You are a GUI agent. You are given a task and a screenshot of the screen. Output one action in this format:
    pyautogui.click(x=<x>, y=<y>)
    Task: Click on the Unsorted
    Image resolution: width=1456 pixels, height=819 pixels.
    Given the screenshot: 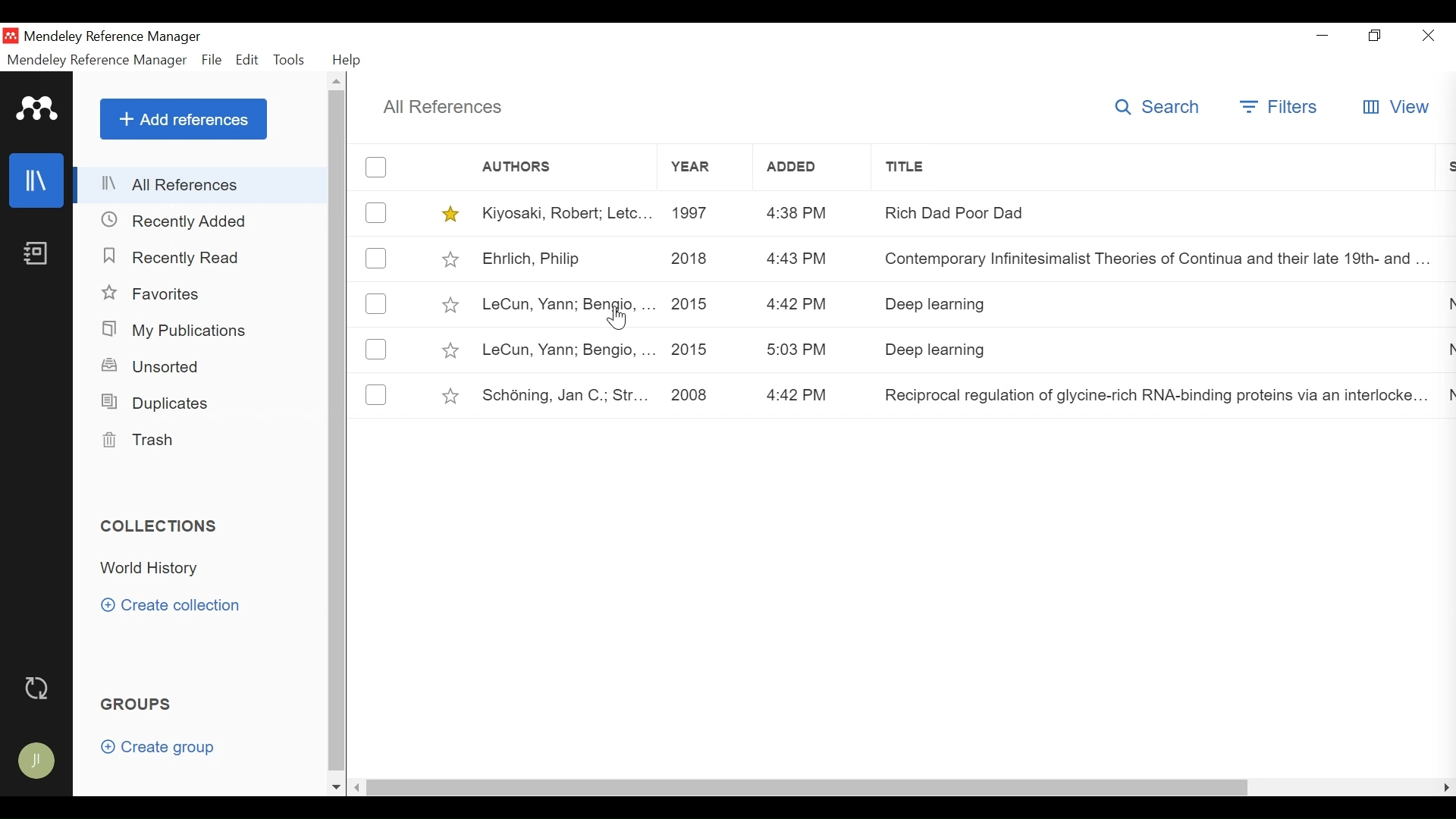 What is the action you would take?
    pyautogui.click(x=152, y=366)
    